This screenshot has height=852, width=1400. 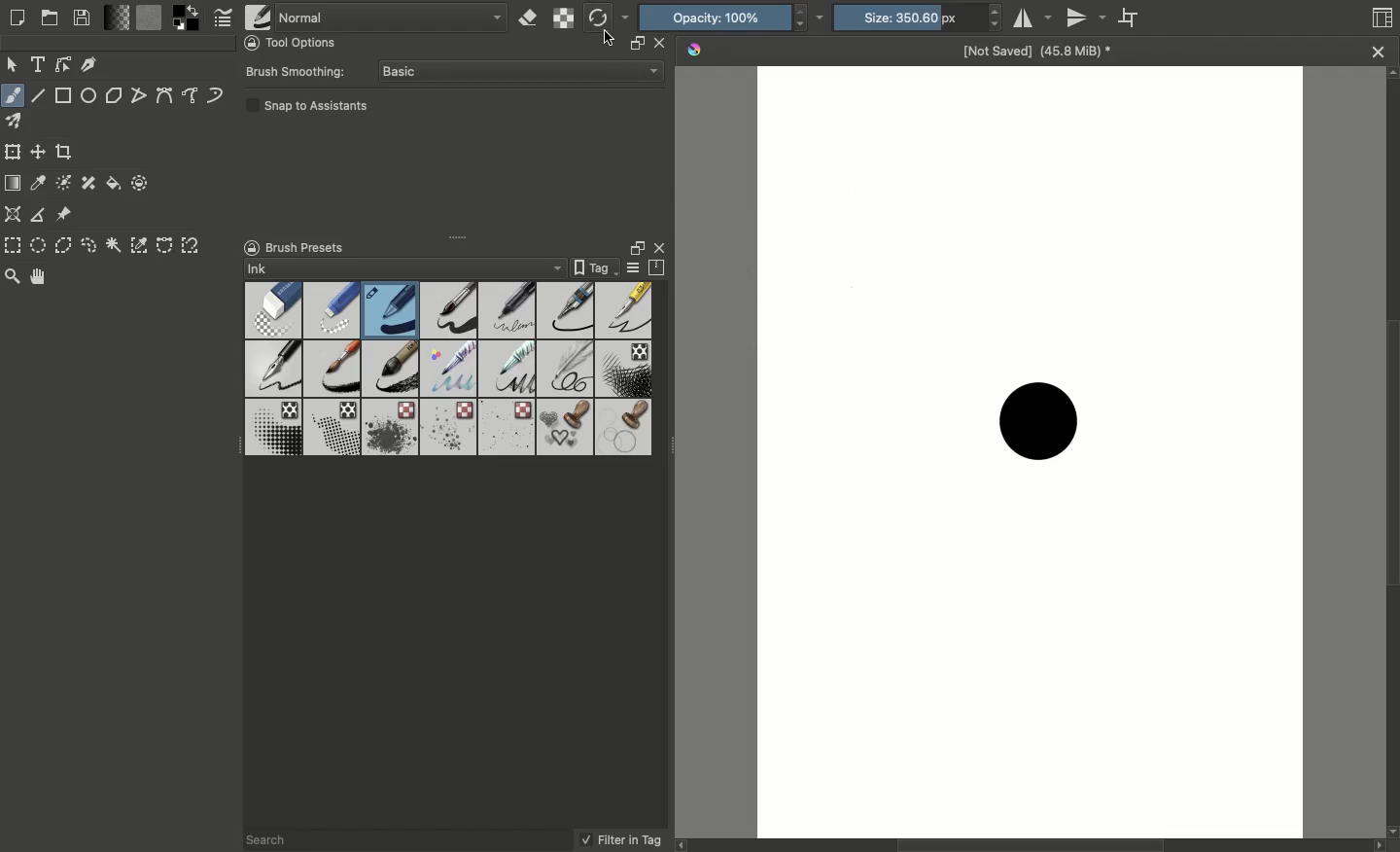 I want to click on Sample a color, so click(x=40, y=183).